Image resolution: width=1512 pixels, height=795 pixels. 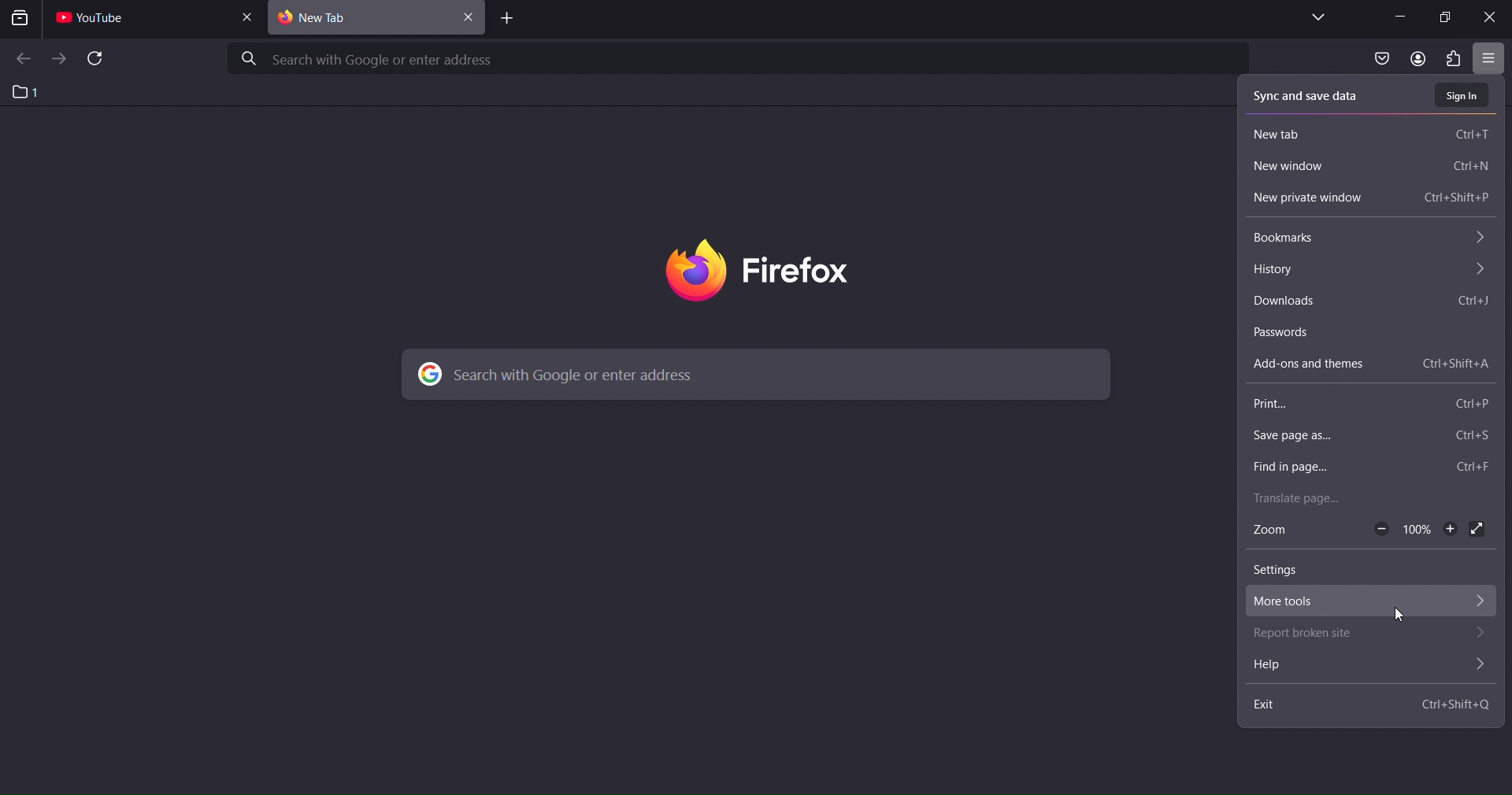 I want to click on downloads, so click(x=1297, y=301).